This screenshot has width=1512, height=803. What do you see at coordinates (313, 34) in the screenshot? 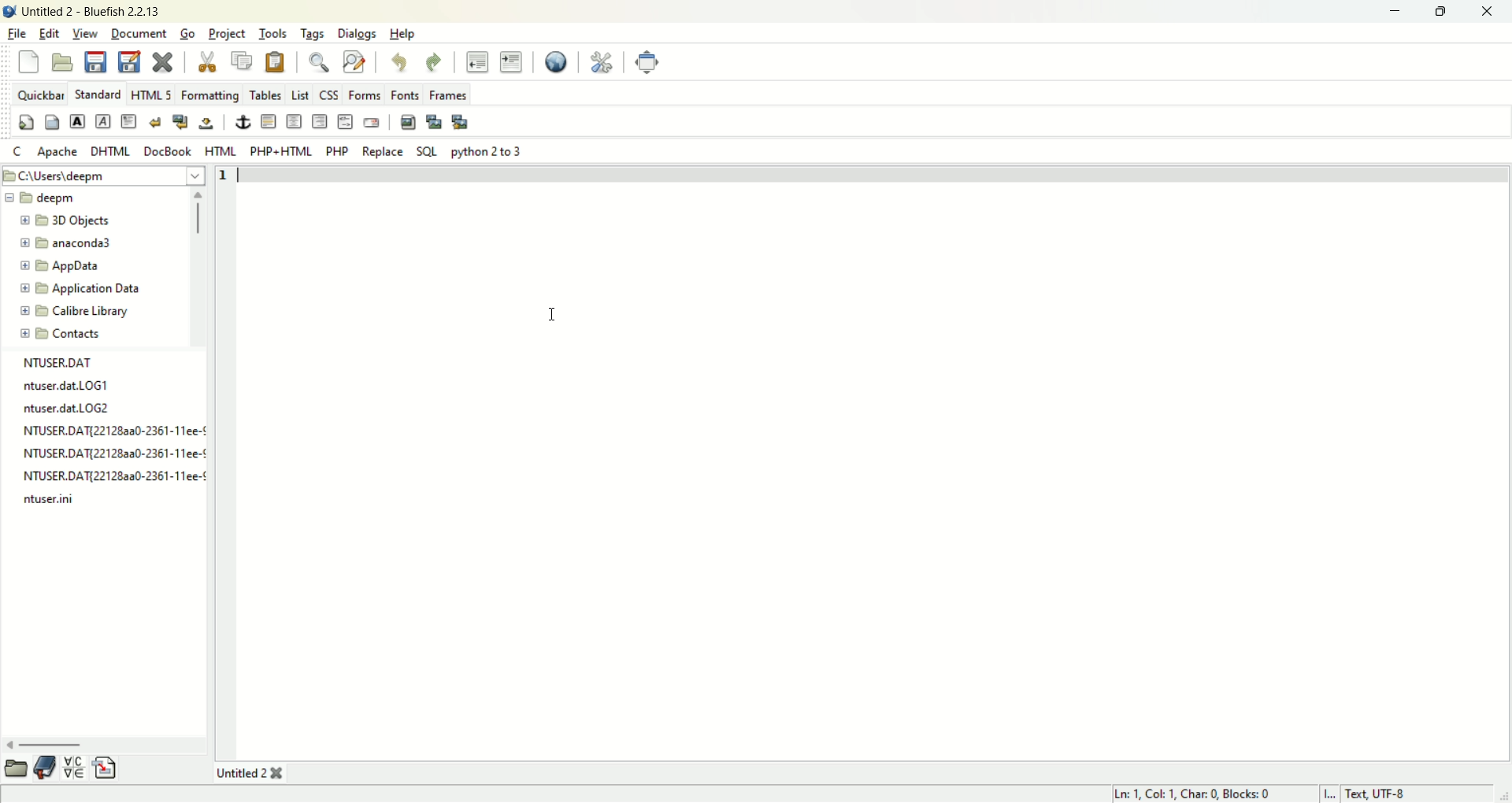
I see `tags` at bounding box center [313, 34].